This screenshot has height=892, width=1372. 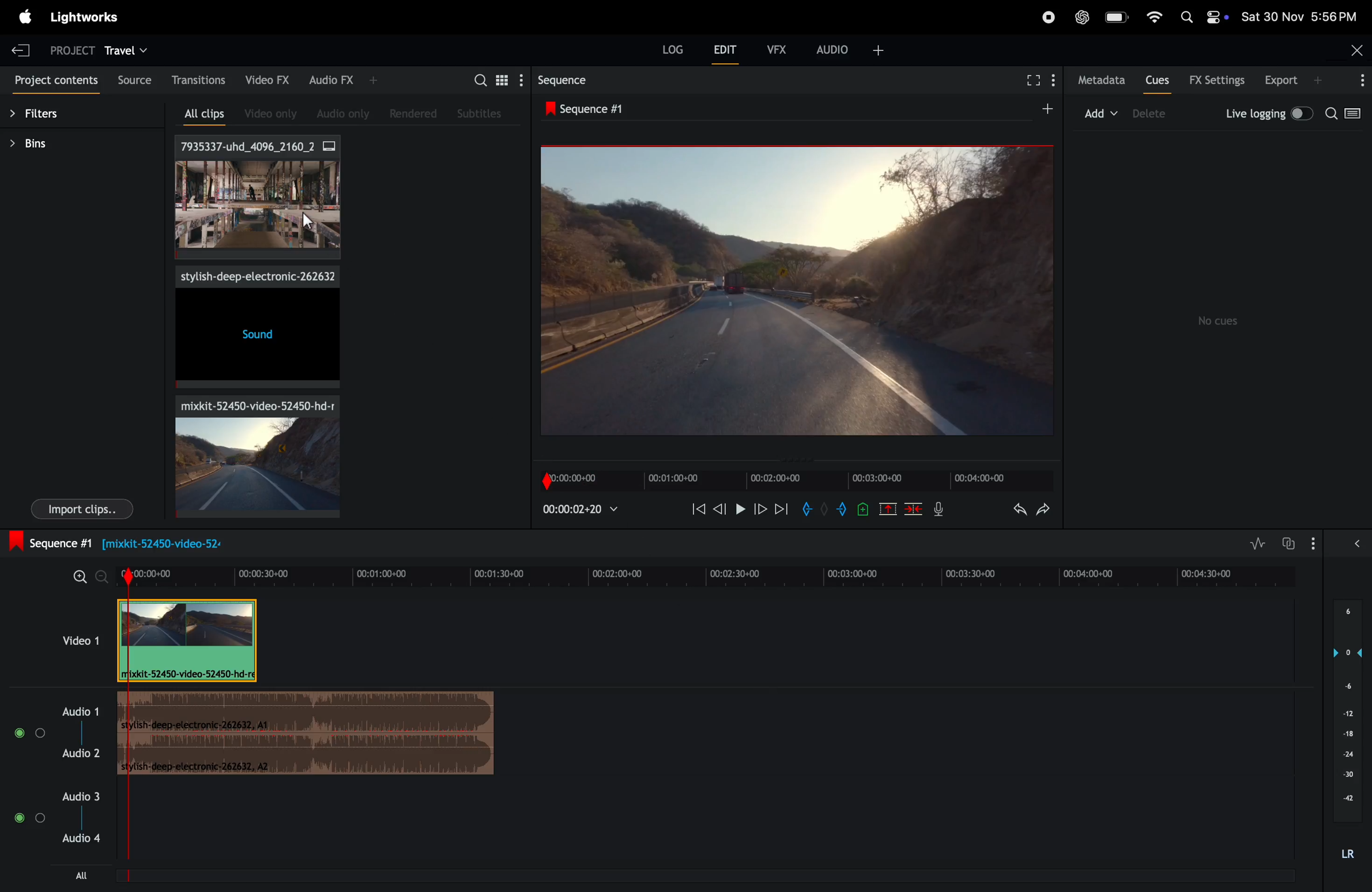 I want to click on play, so click(x=740, y=510).